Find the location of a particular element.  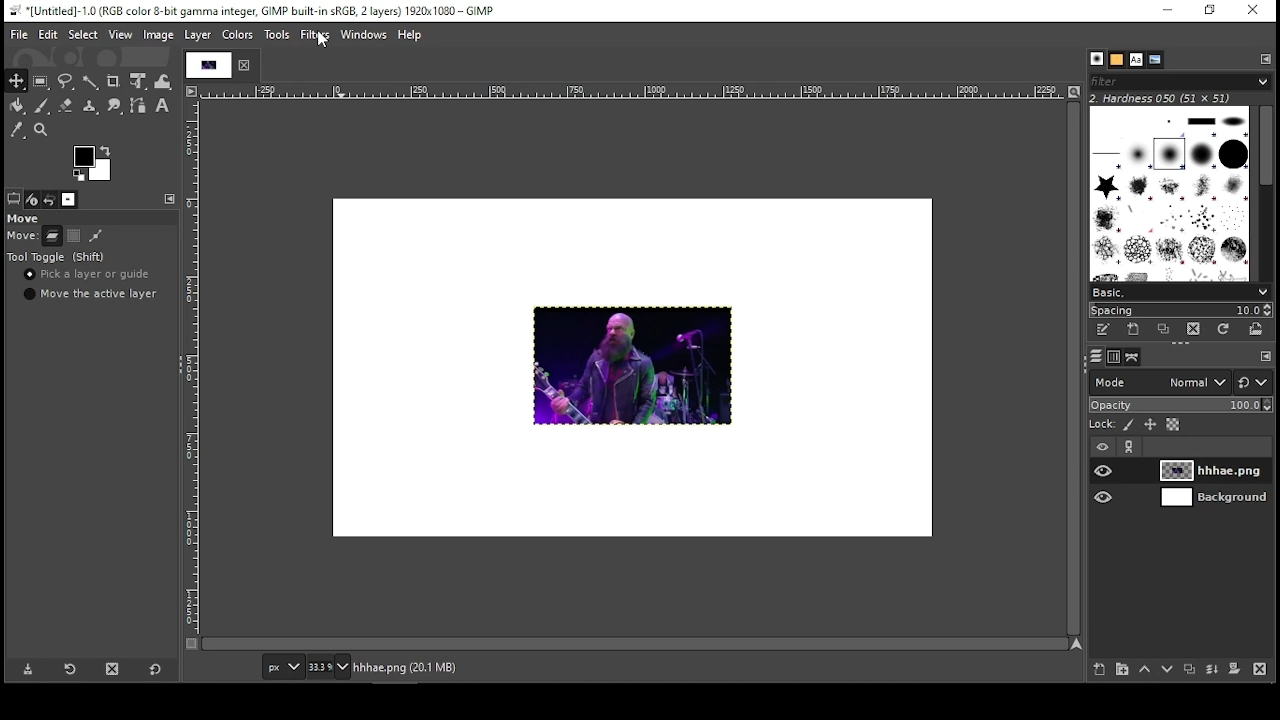

select is located at coordinates (82, 34).